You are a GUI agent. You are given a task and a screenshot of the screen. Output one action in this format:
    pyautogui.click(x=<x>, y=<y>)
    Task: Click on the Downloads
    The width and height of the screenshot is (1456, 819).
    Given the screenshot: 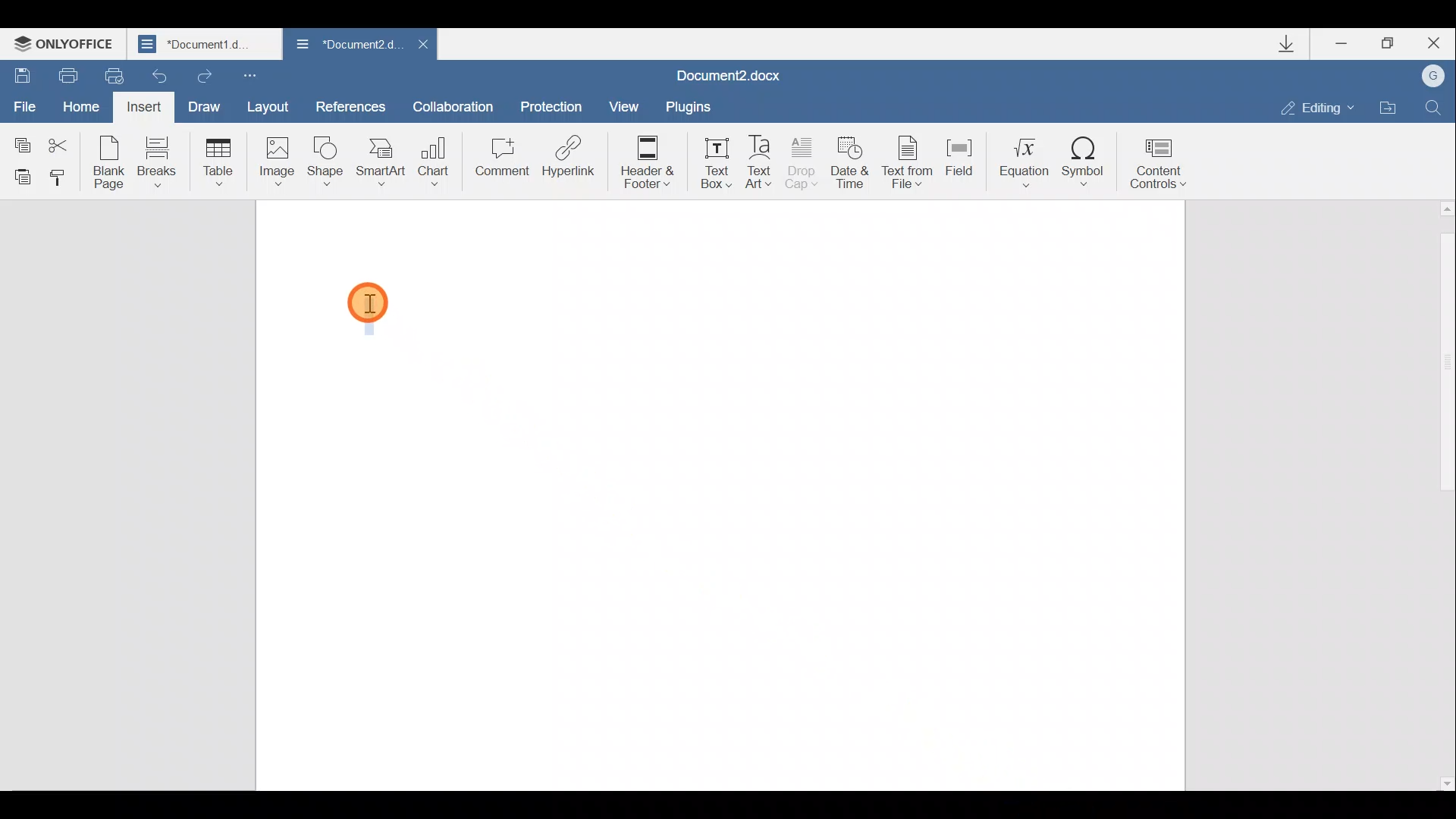 What is the action you would take?
    pyautogui.click(x=1295, y=47)
    